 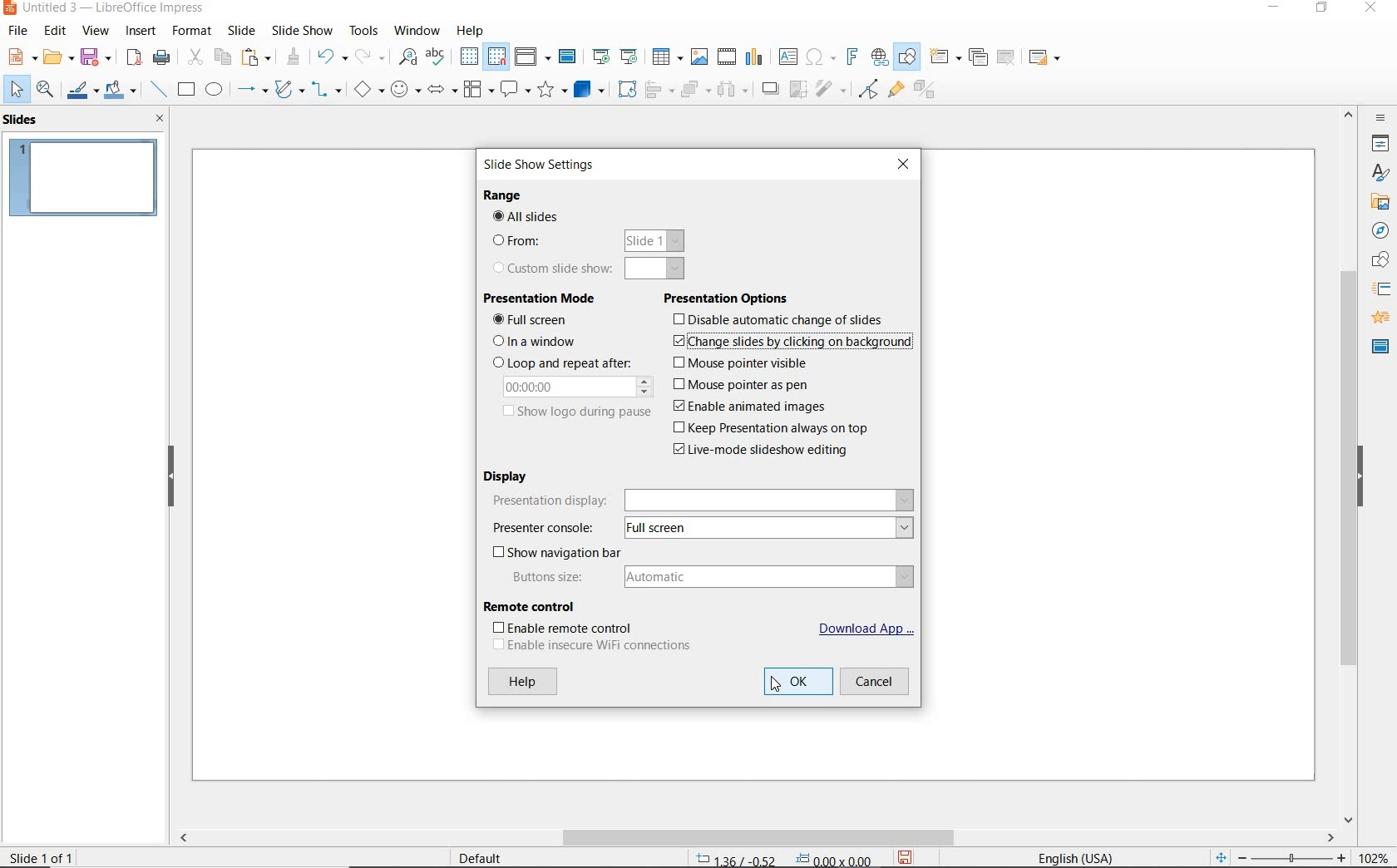 What do you see at coordinates (442, 87) in the screenshot?
I see `BLOCK ARROWS` at bounding box center [442, 87].